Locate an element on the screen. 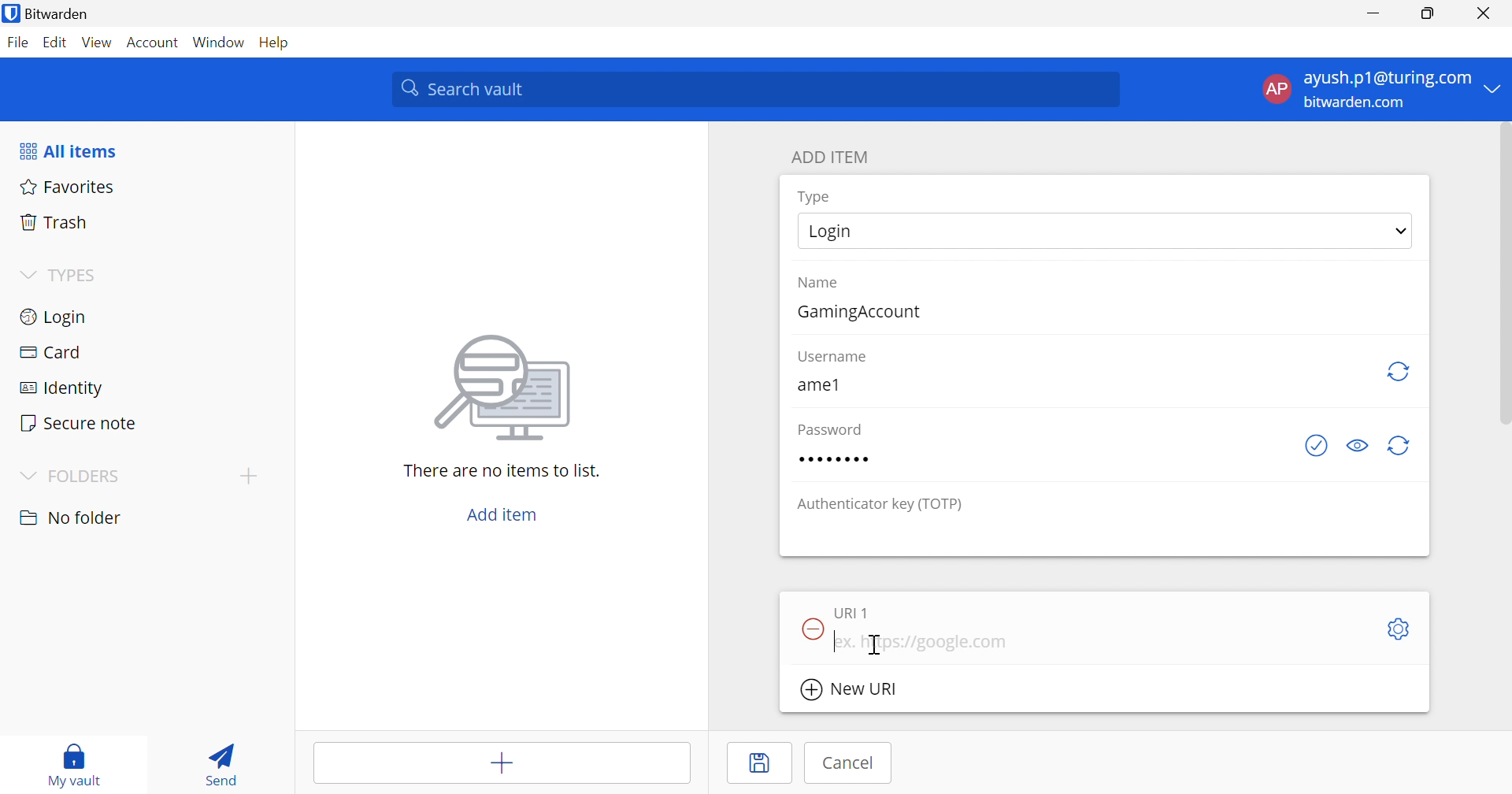  Toggle visibility is located at coordinates (1362, 445).